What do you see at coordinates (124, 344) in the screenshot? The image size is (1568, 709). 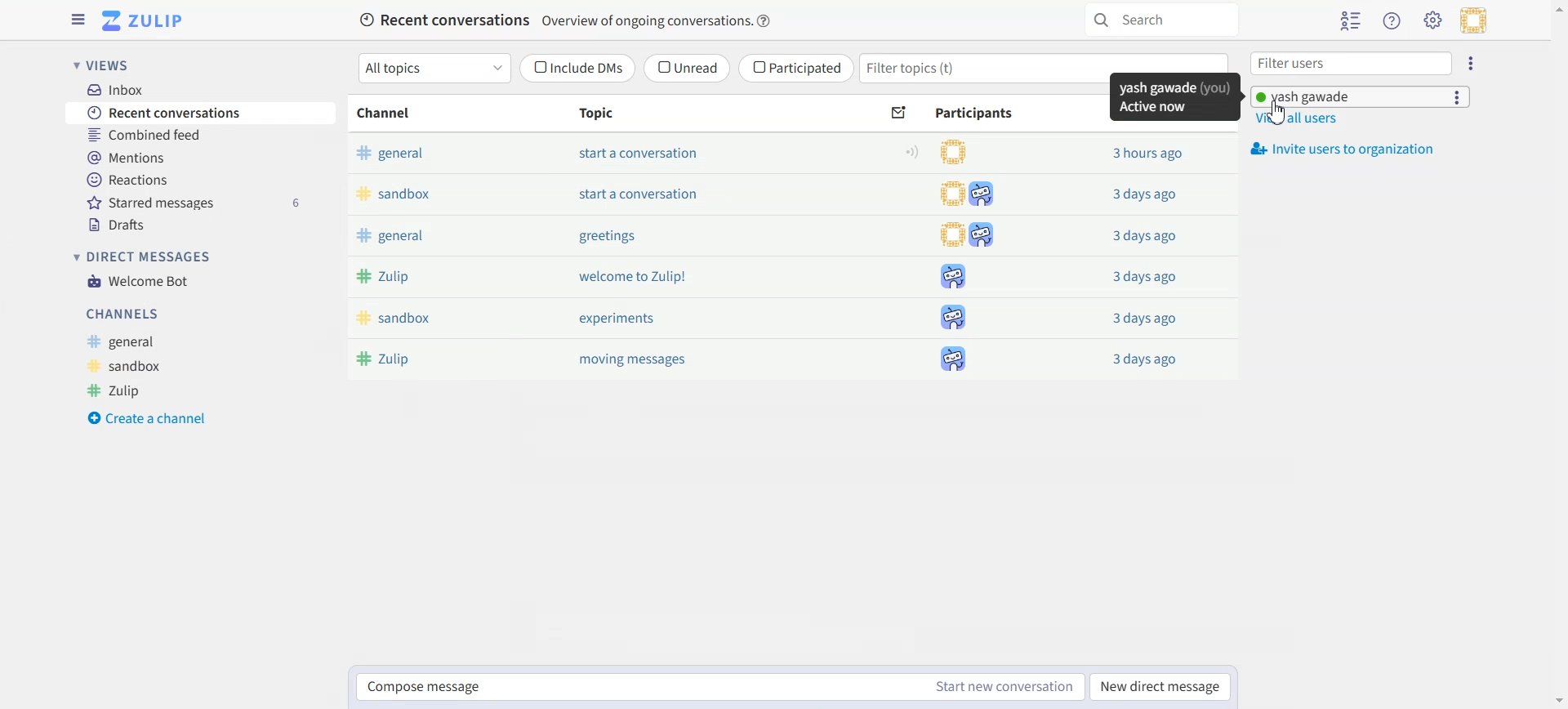 I see `General` at bounding box center [124, 344].